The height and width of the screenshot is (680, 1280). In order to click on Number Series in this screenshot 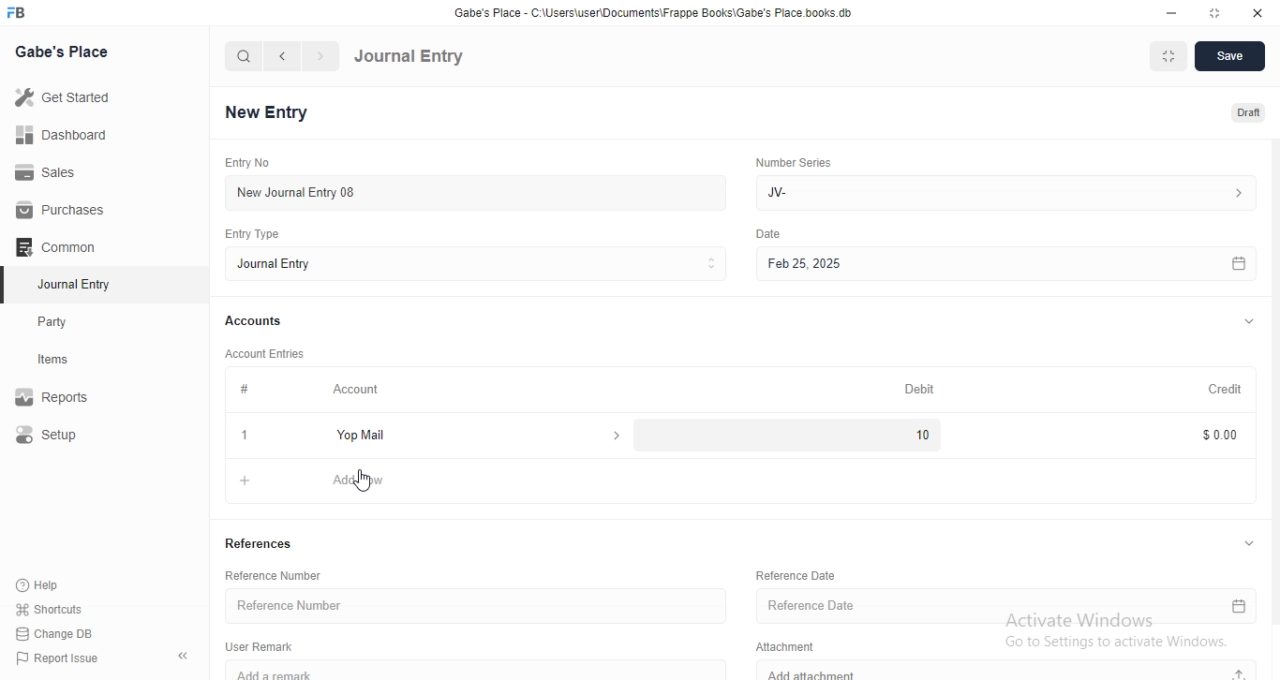, I will do `click(793, 164)`.